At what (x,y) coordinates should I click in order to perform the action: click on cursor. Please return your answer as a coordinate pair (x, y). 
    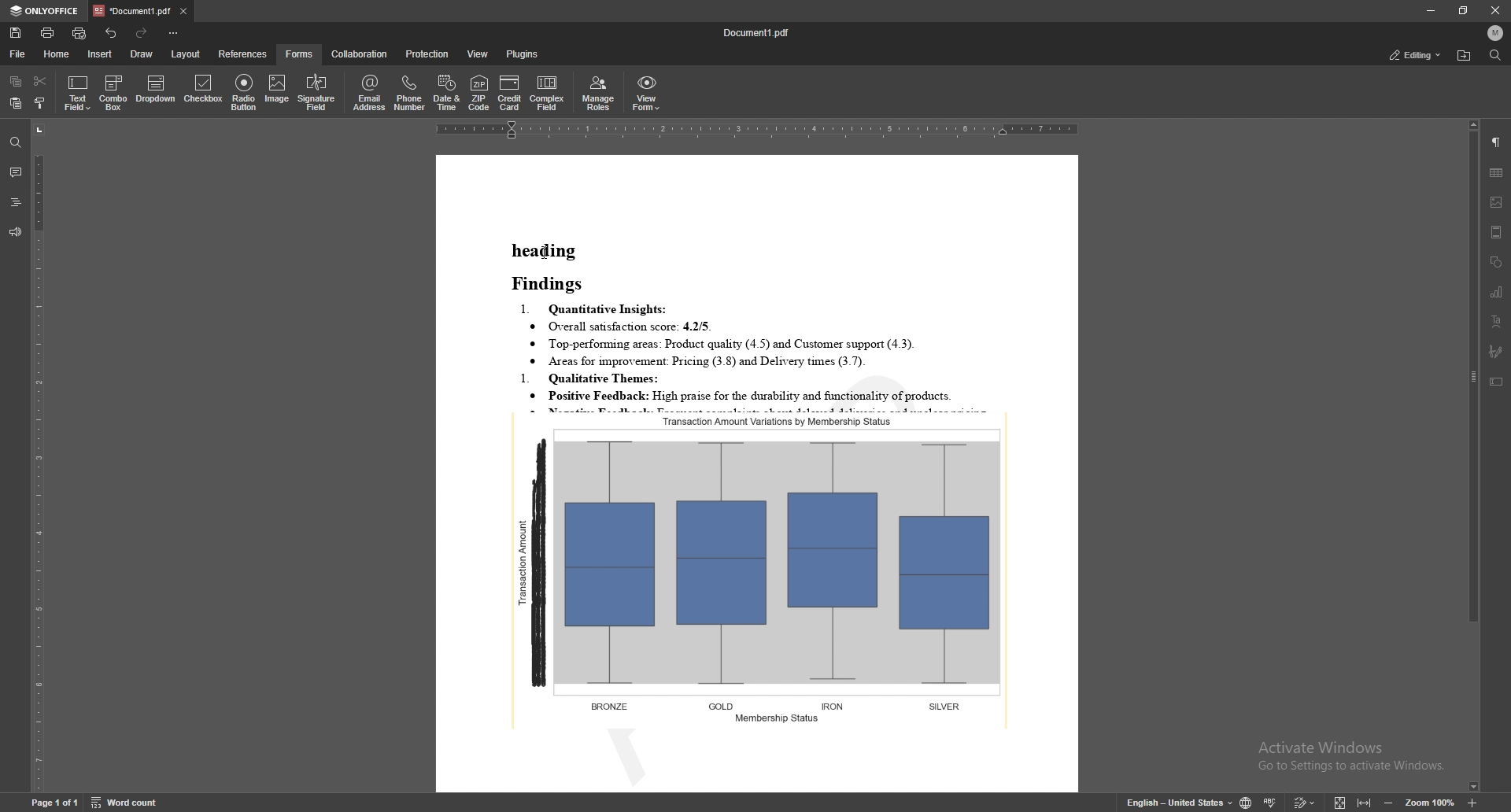
    Looking at the image, I should click on (546, 254).